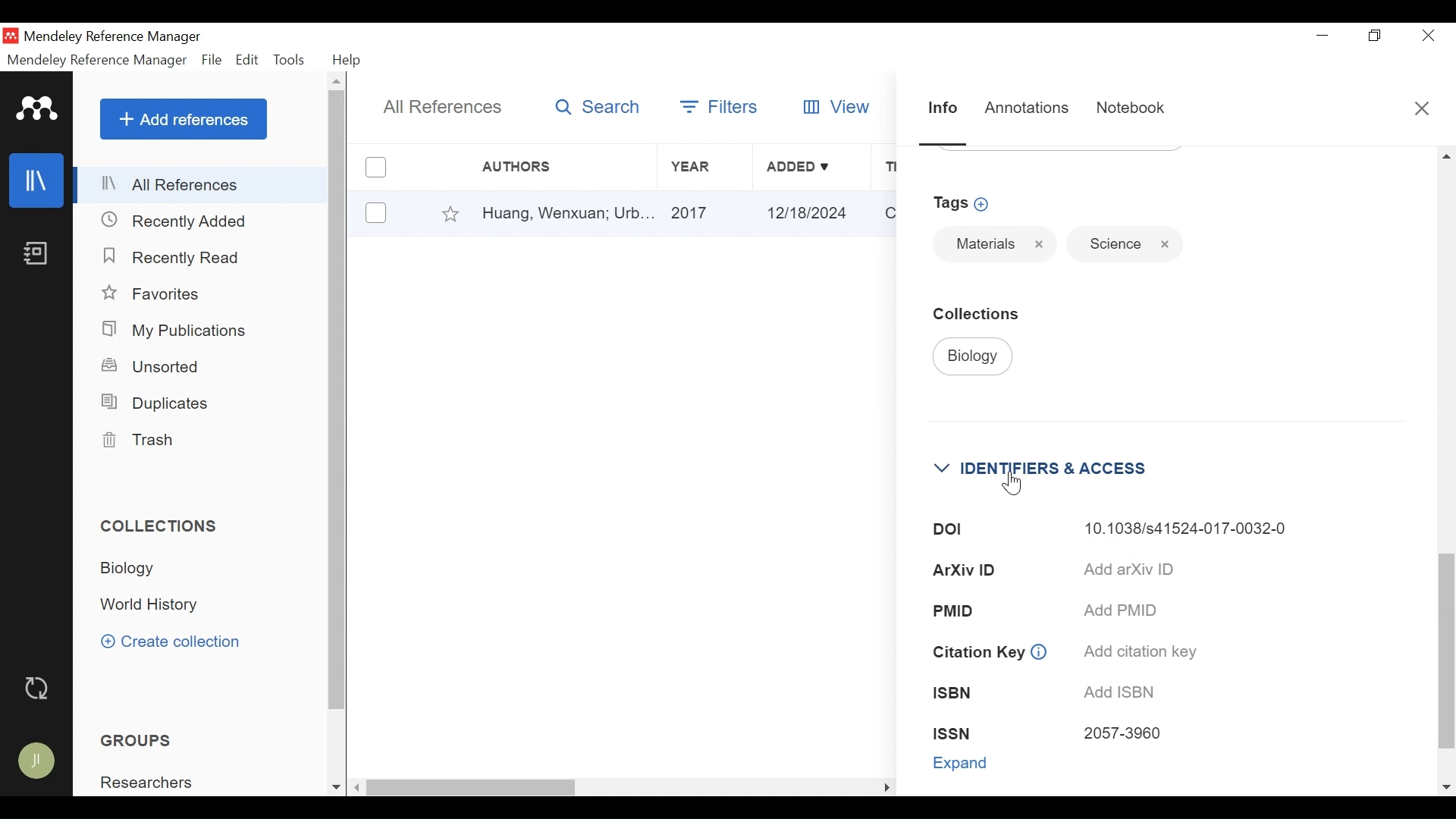 The width and height of the screenshot is (1456, 819). I want to click on Add arXiv ID, so click(1130, 569).